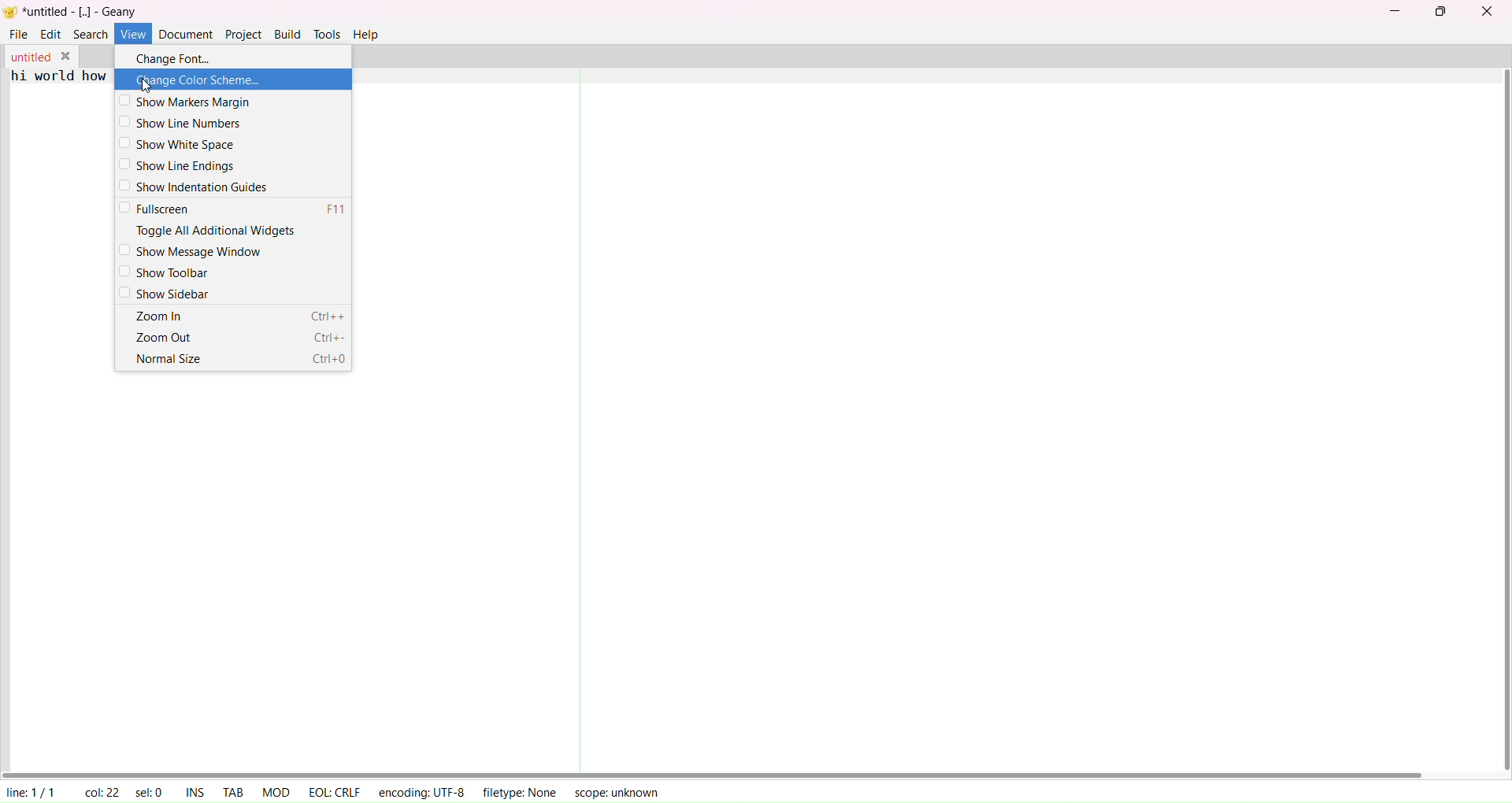 The height and width of the screenshot is (803, 1512). I want to click on view, so click(133, 33).